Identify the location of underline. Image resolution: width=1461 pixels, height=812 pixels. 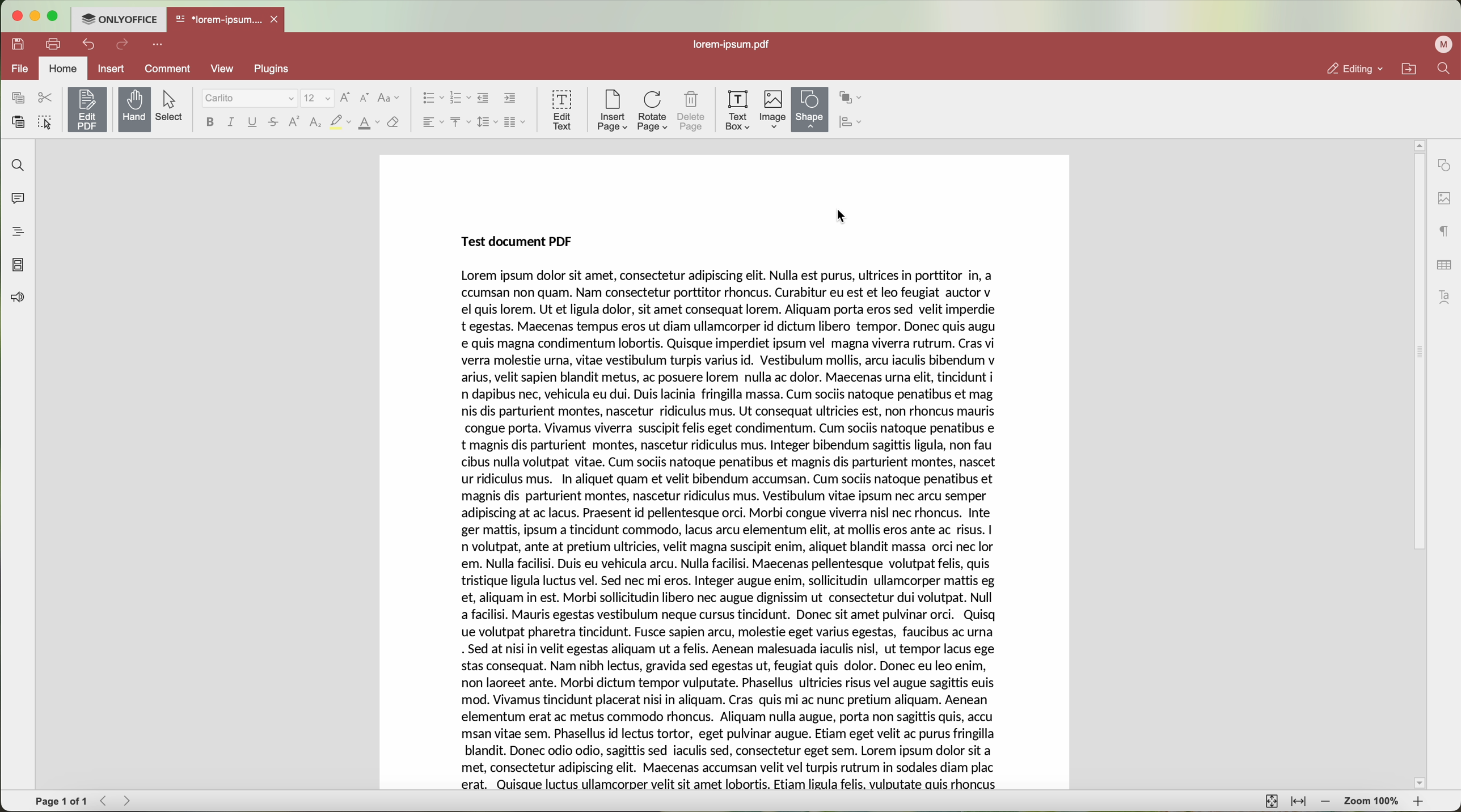
(253, 122).